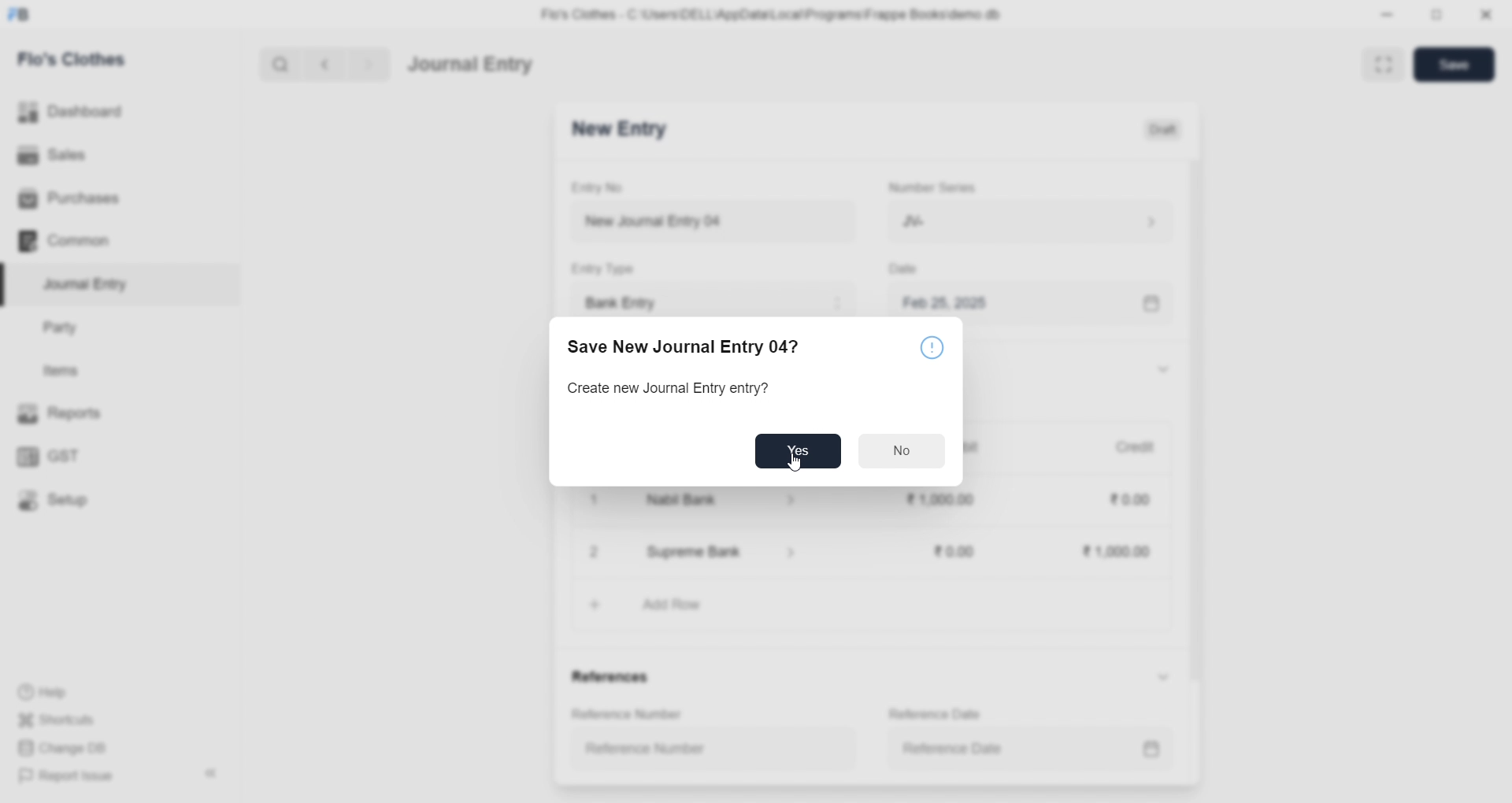 This screenshot has width=1512, height=803. What do you see at coordinates (668, 389) in the screenshot?
I see `Create new Journal Entry entry?` at bounding box center [668, 389].